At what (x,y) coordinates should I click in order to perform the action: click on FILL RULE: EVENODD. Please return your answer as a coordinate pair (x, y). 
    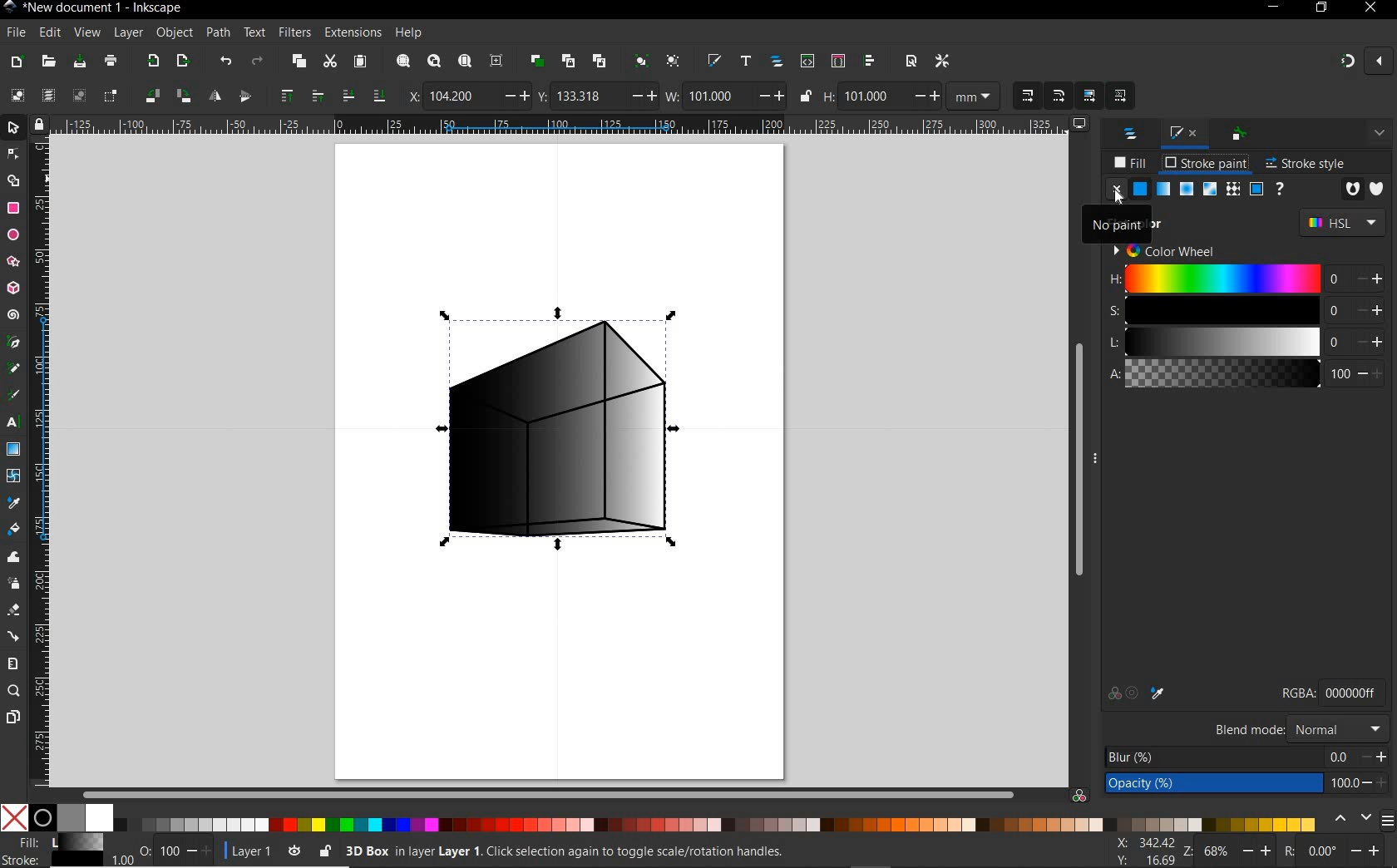
    Looking at the image, I should click on (1353, 189).